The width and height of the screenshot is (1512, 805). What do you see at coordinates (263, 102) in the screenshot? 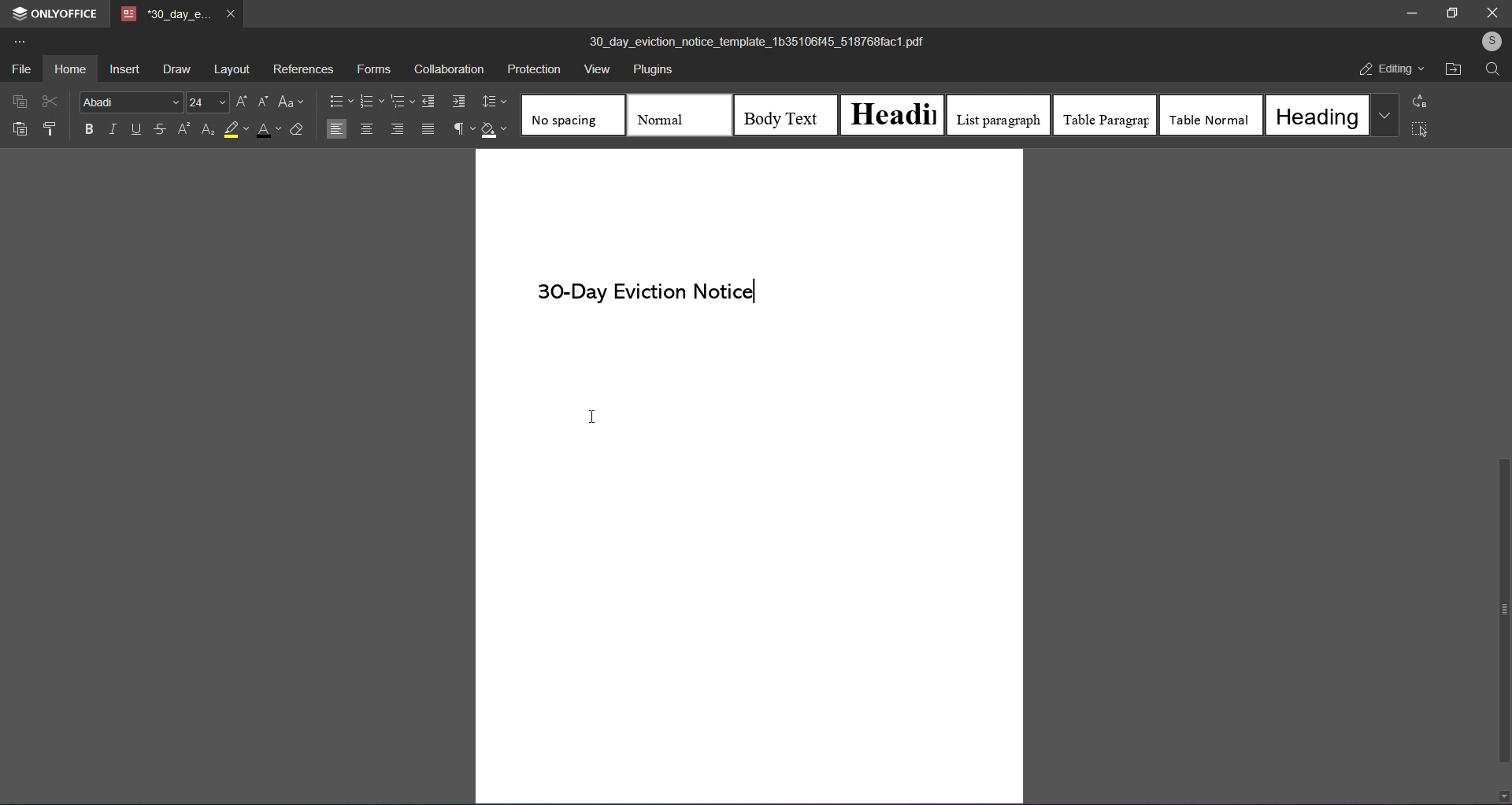
I see `decrease font size` at bounding box center [263, 102].